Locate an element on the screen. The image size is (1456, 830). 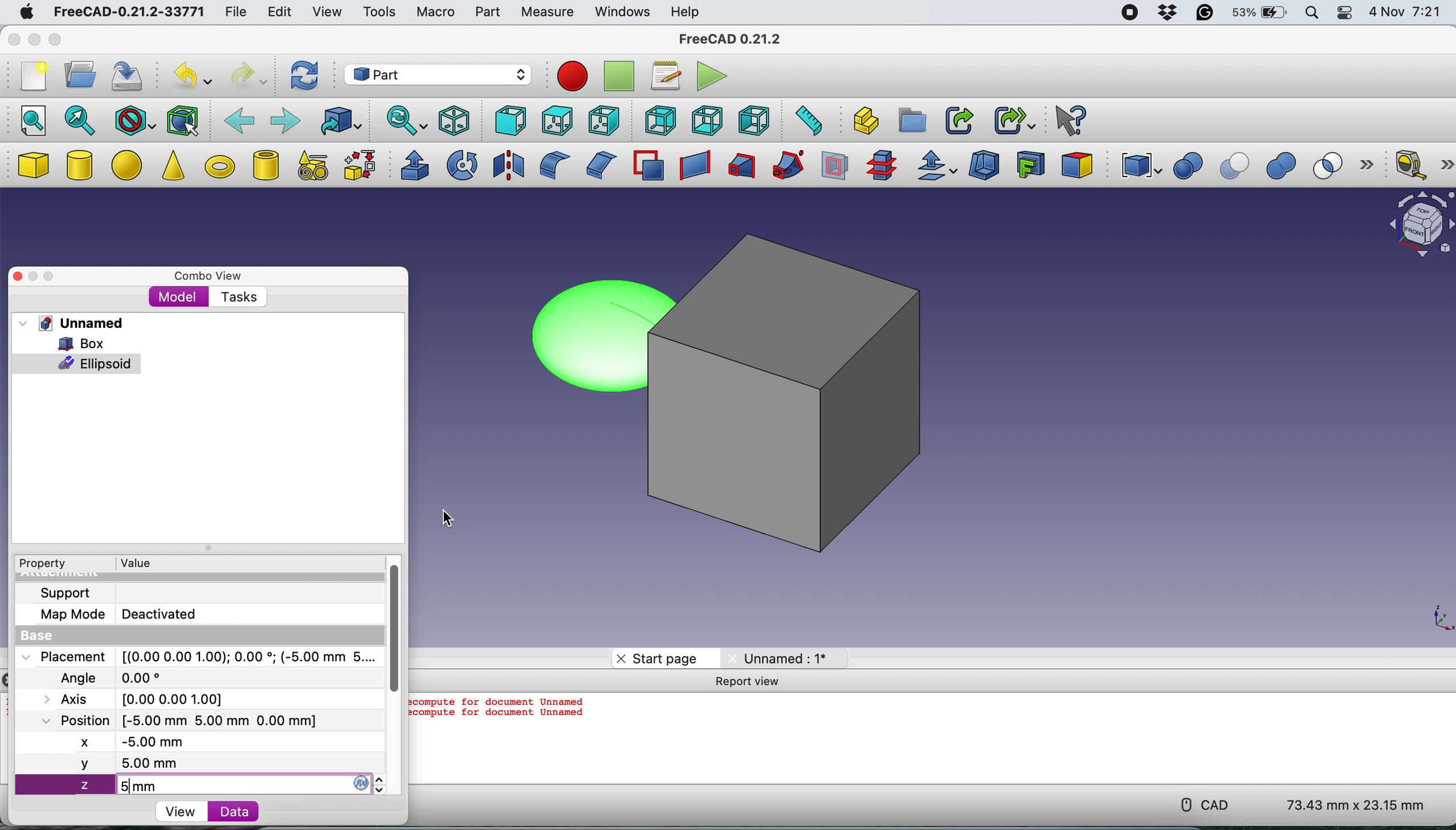
thickness is located at coordinates (985, 166).